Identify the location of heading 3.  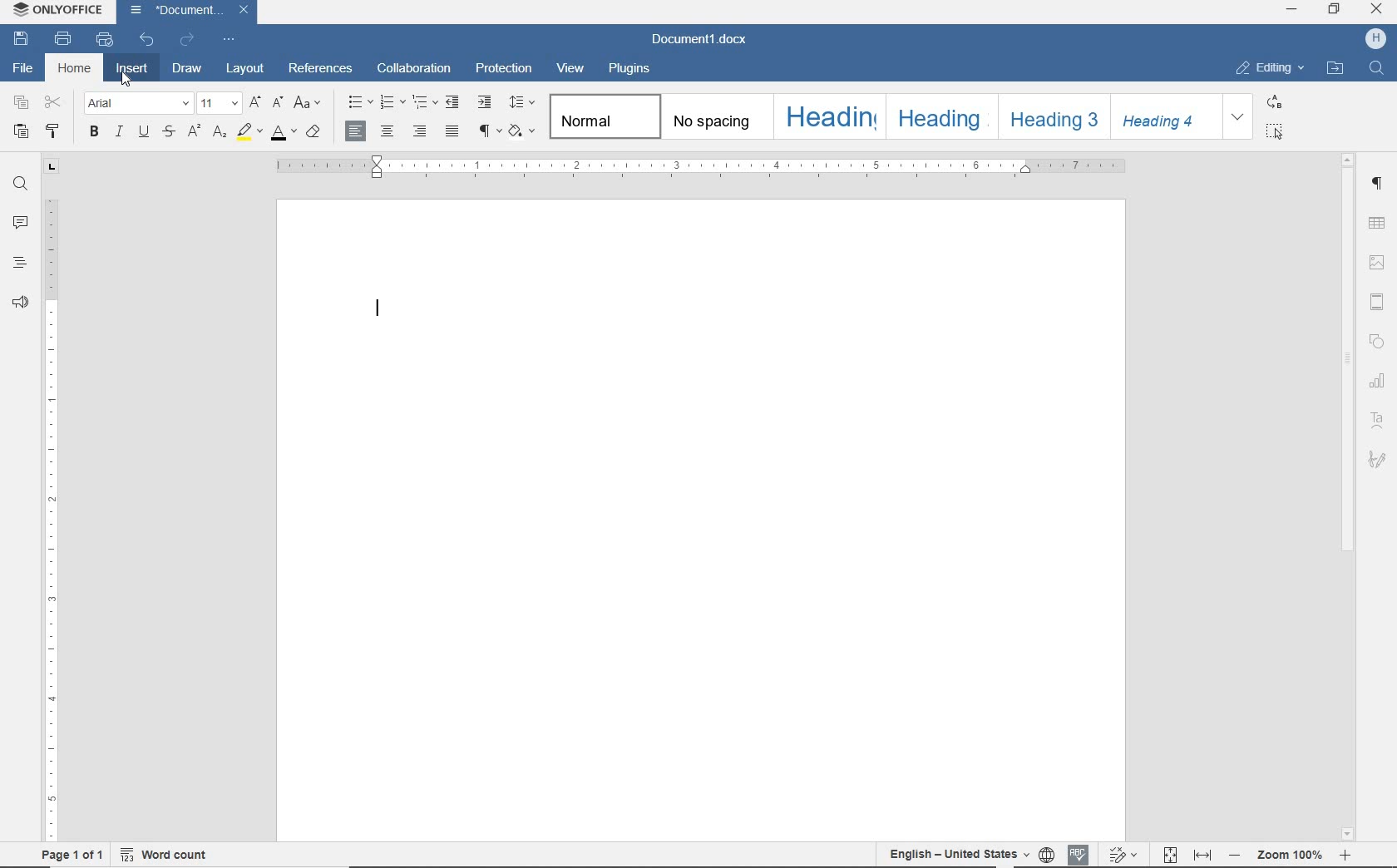
(1052, 117).